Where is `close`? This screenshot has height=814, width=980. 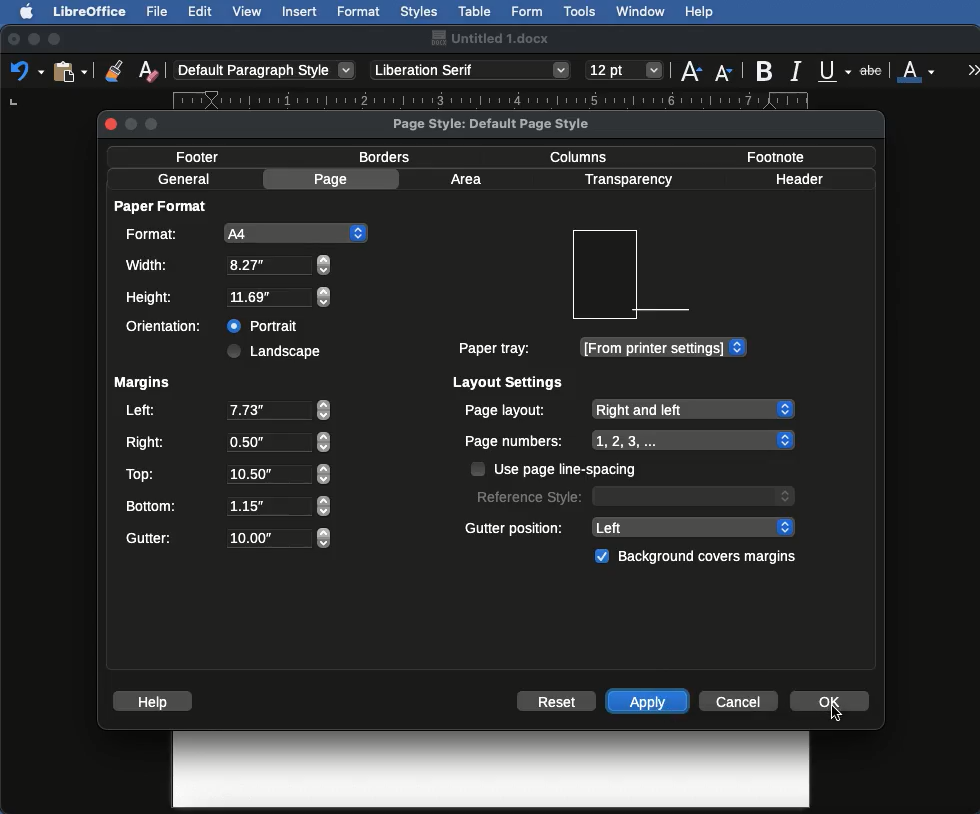 close is located at coordinates (111, 126).